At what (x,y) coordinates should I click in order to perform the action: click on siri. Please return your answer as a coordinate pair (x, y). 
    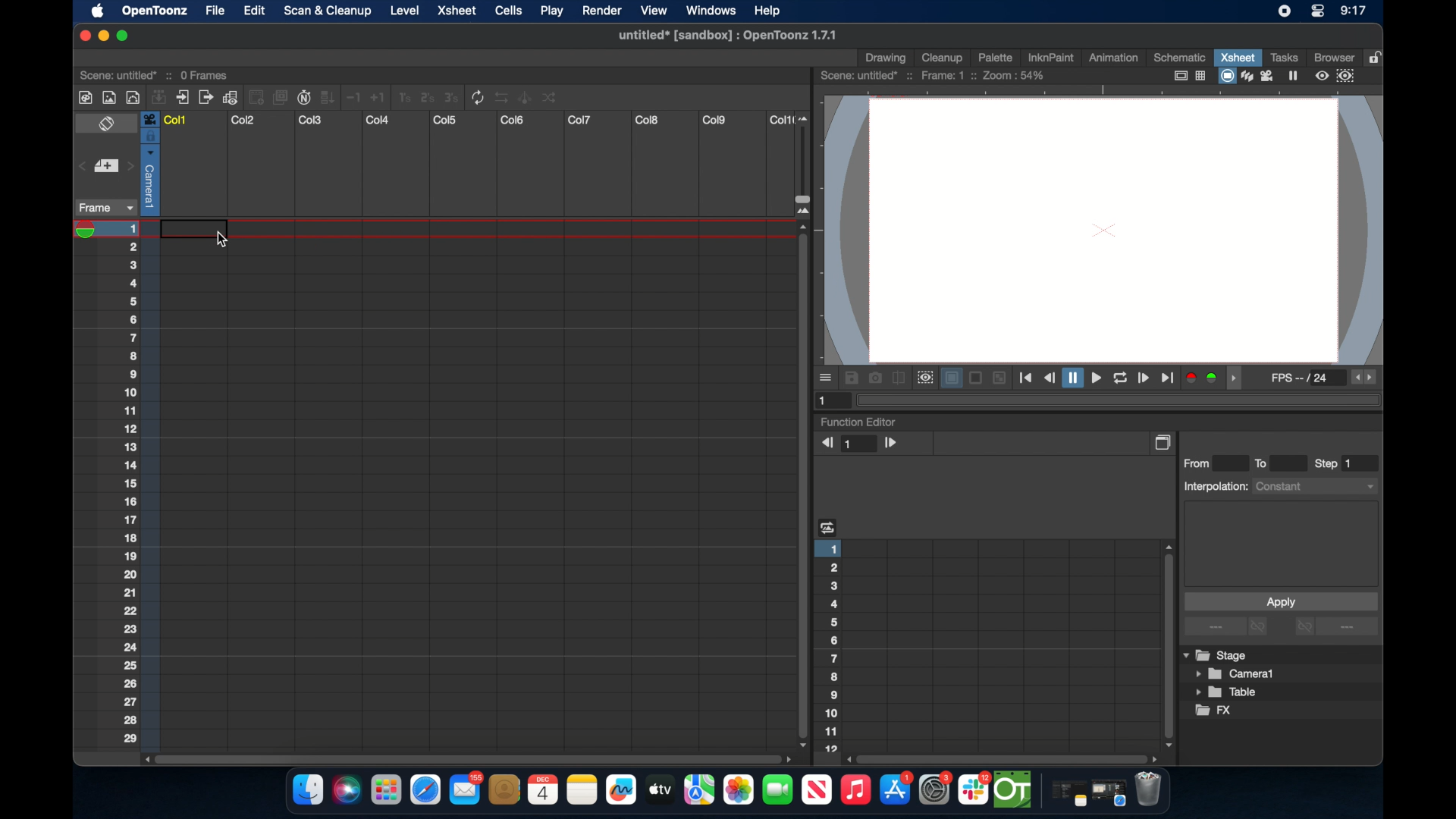
    Looking at the image, I should click on (345, 790).